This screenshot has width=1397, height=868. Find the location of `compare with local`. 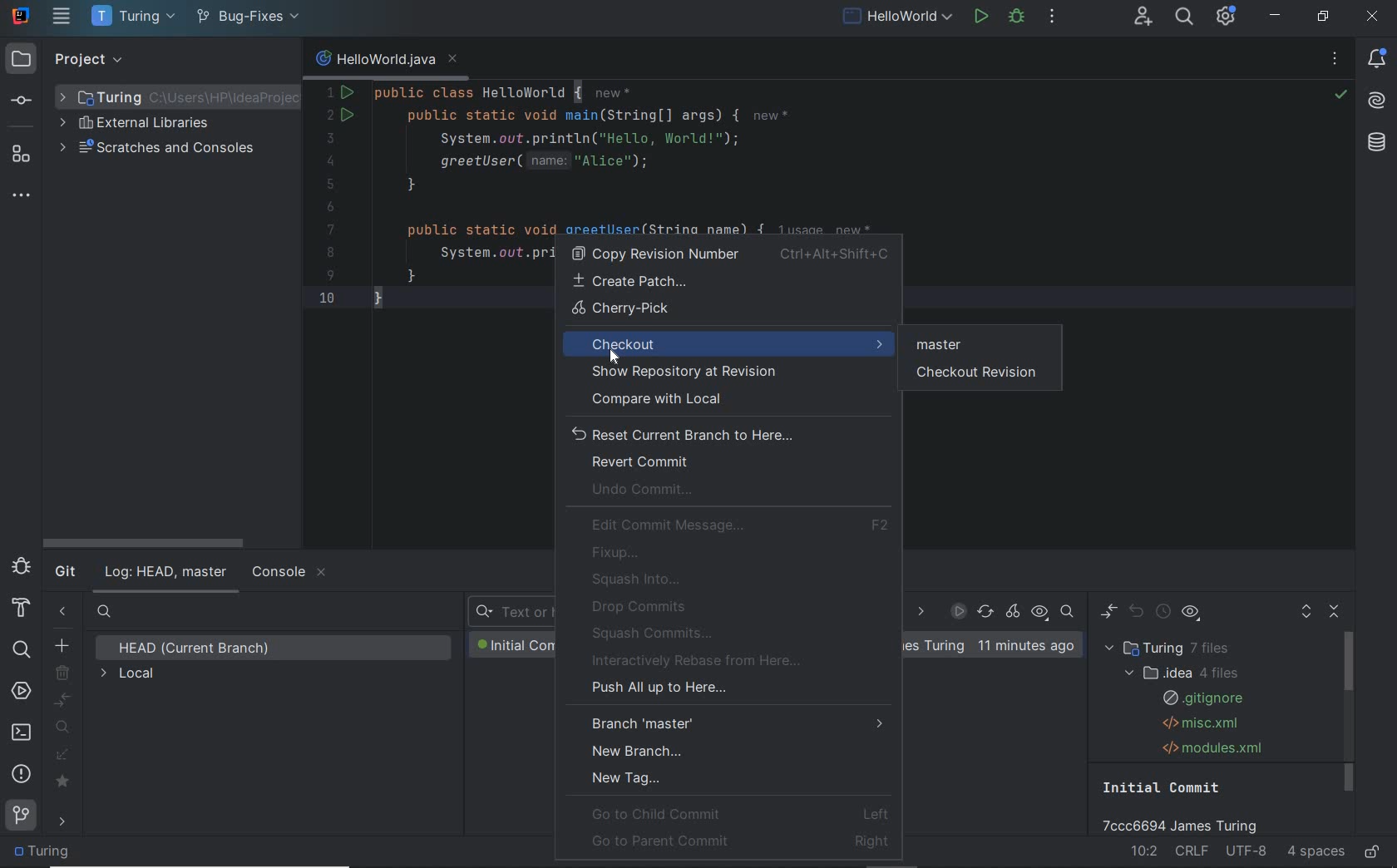

compare with local is located at coordinates (727, 399).